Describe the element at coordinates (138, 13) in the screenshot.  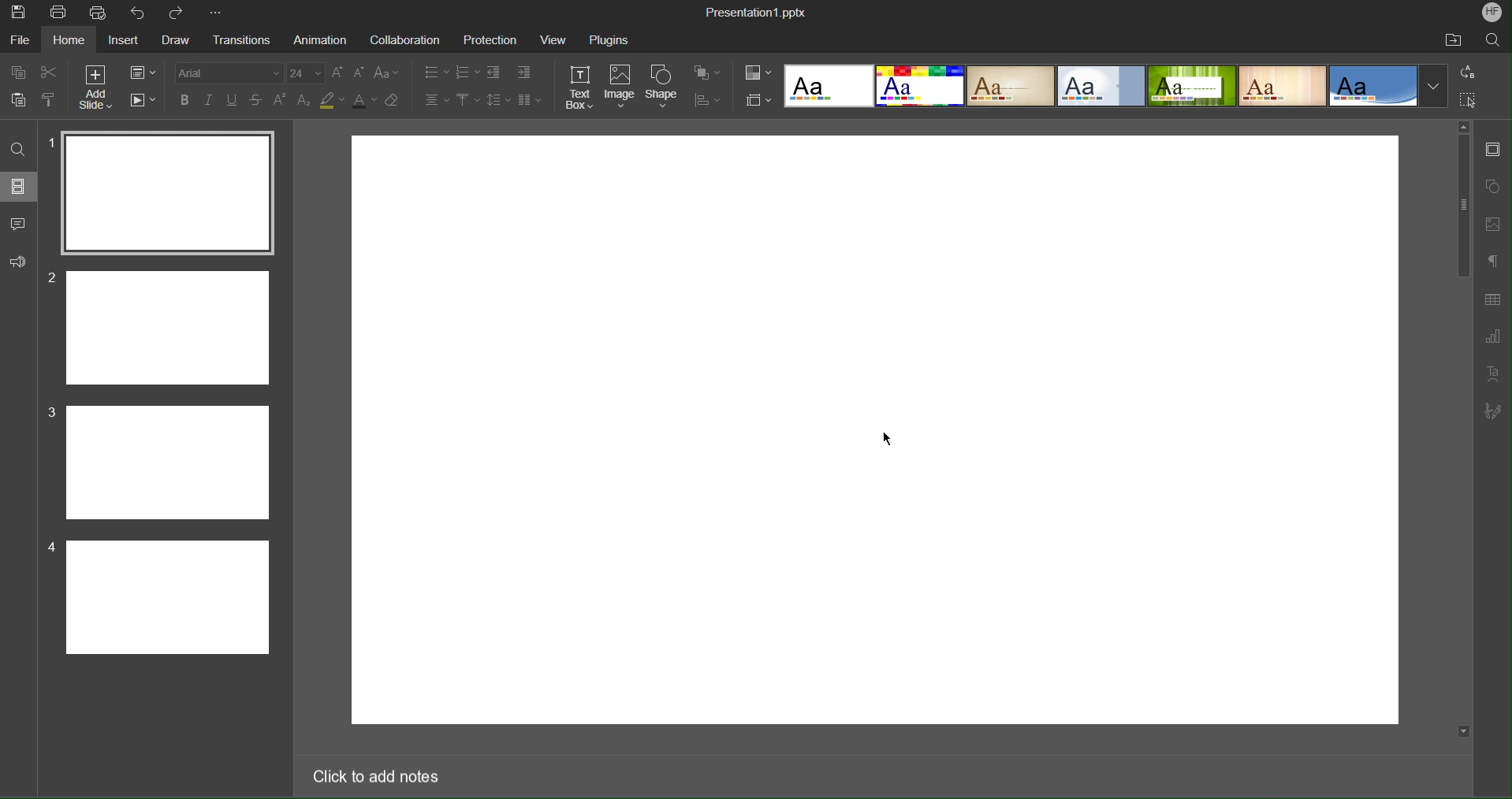
I see `Undo` at that location.